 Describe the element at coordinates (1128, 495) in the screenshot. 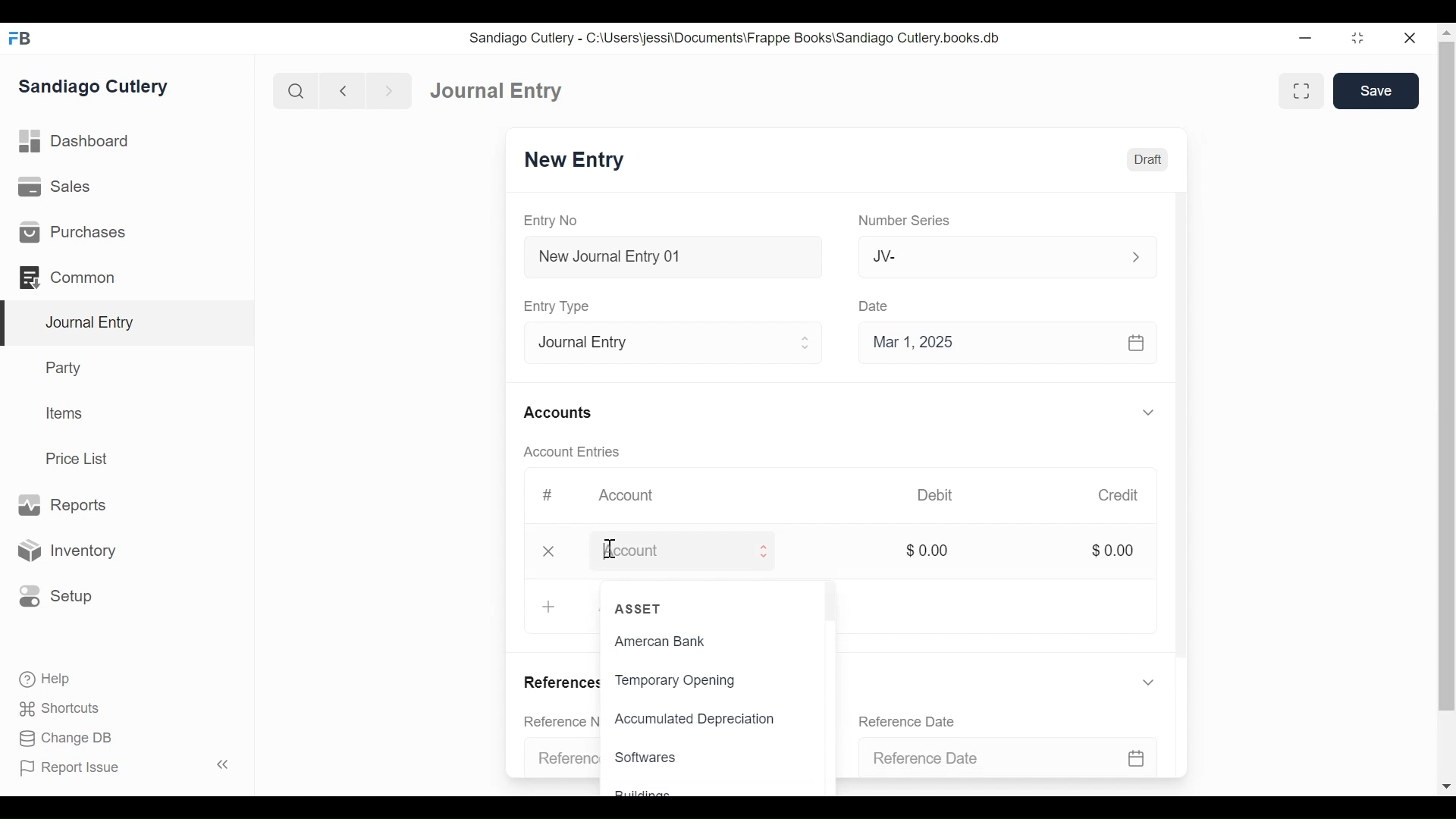

I see `Credit` at that location.